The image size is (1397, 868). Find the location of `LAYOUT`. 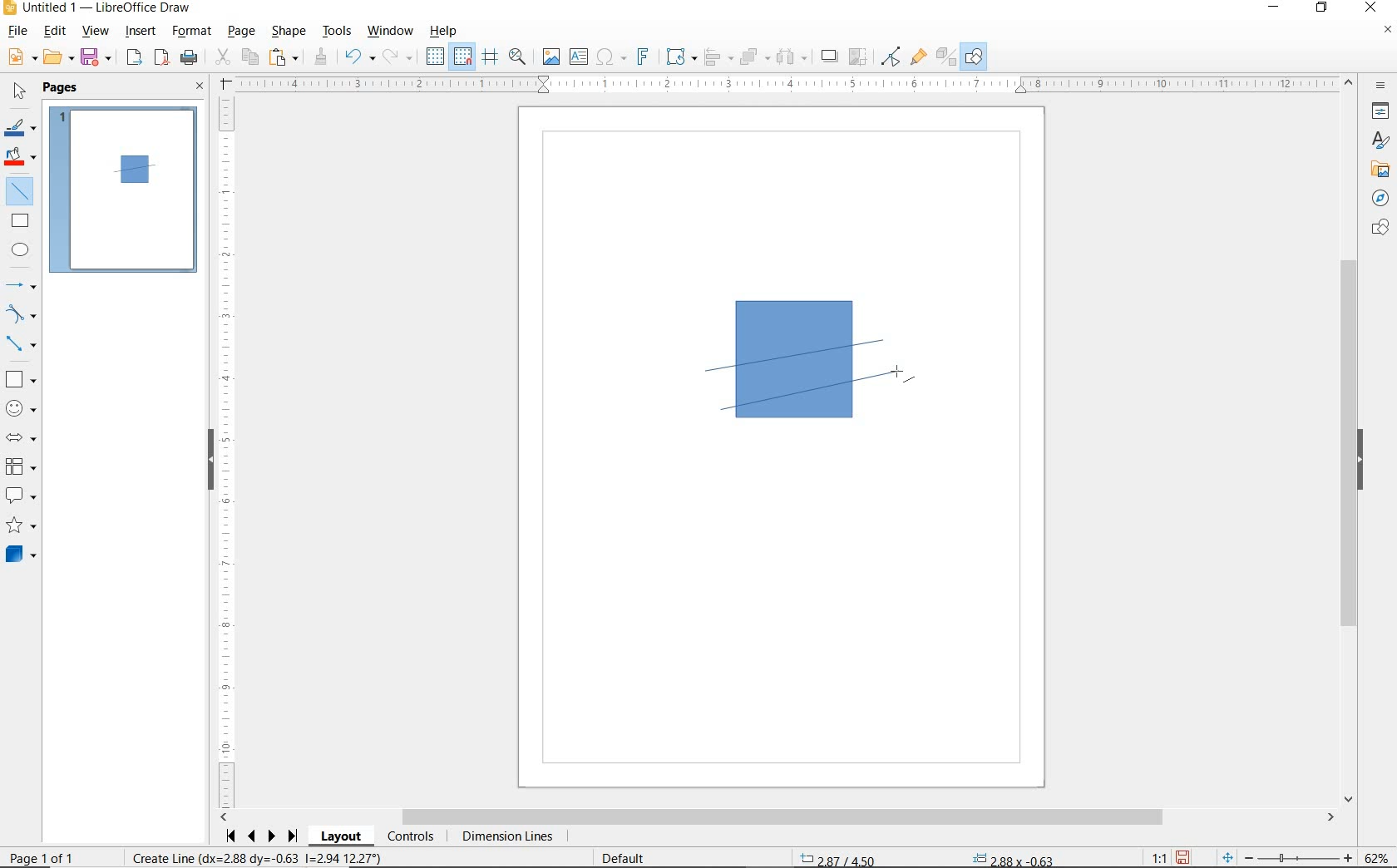

LAYOUT is located at coordinates (343, 836).